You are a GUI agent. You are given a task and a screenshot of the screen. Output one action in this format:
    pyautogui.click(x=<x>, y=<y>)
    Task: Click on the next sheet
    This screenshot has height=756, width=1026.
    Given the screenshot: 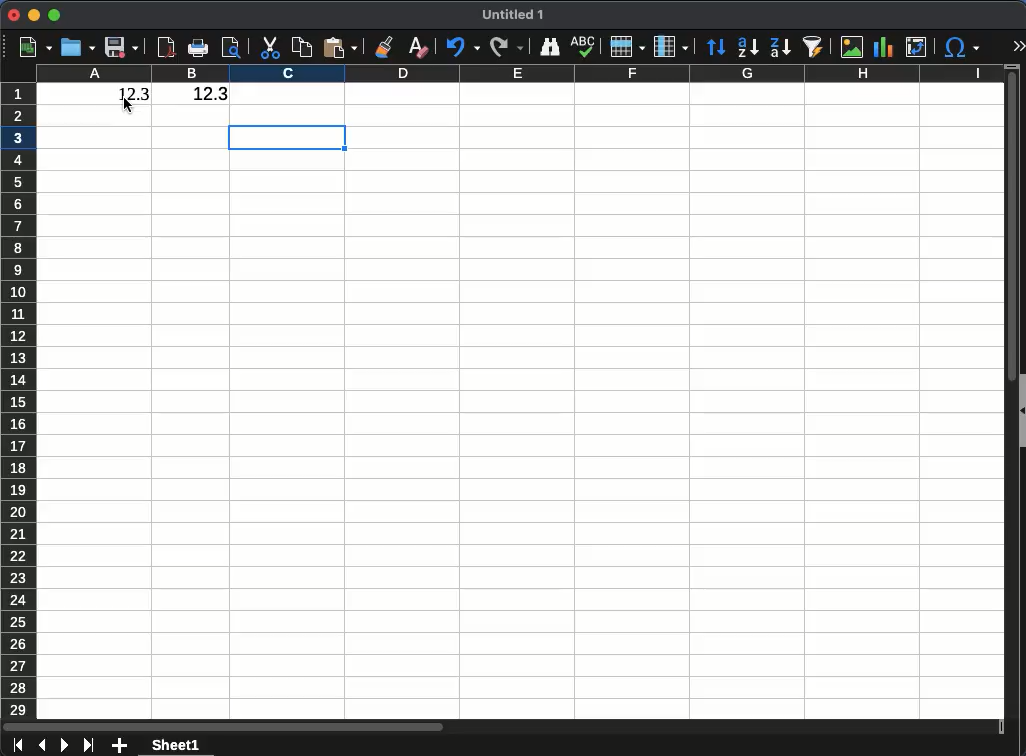 What is the action you would take?
    pyautogui.click(x=63, y=745)
    